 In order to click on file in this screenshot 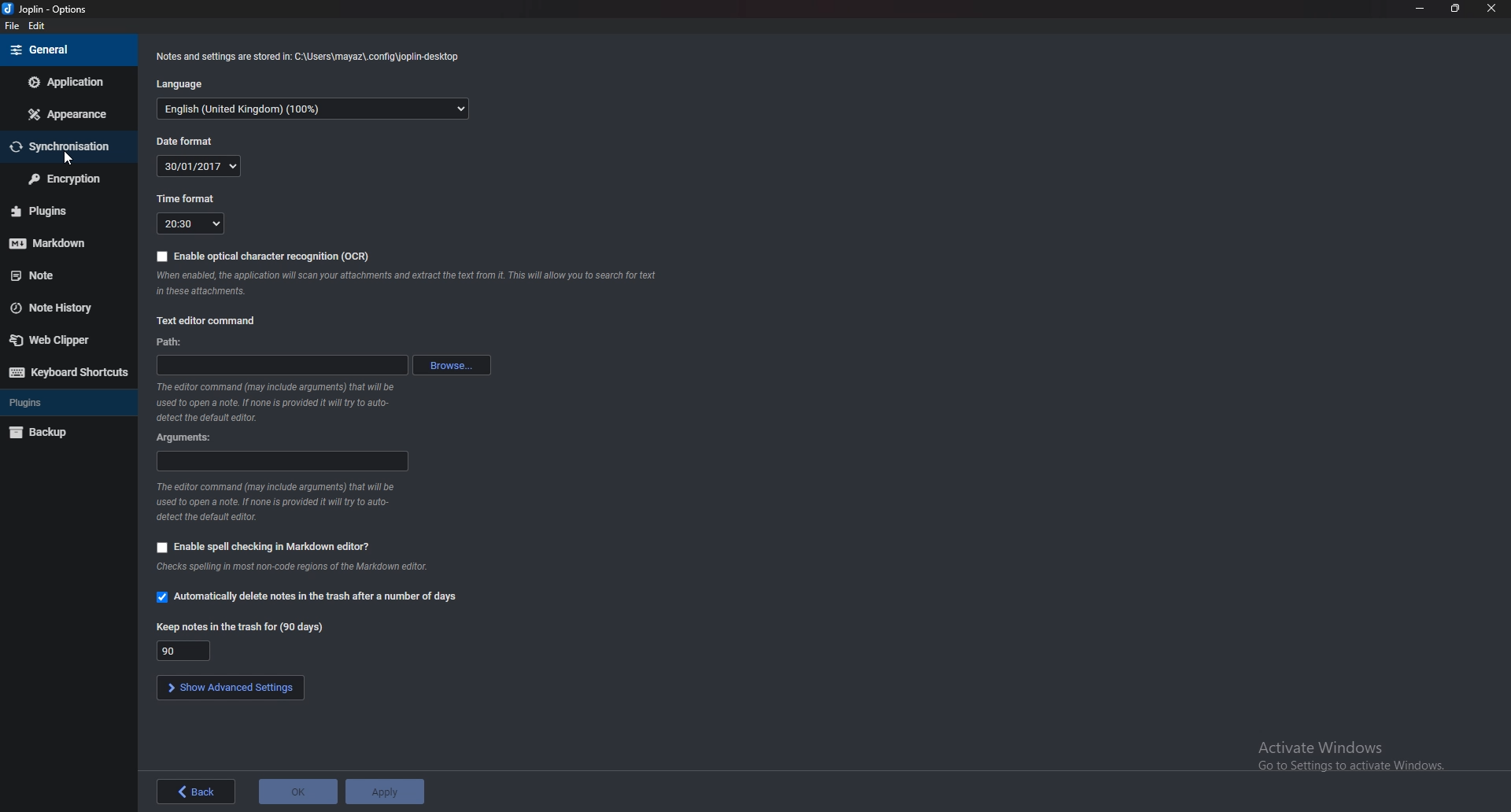, I will do `click(12, 26)`.